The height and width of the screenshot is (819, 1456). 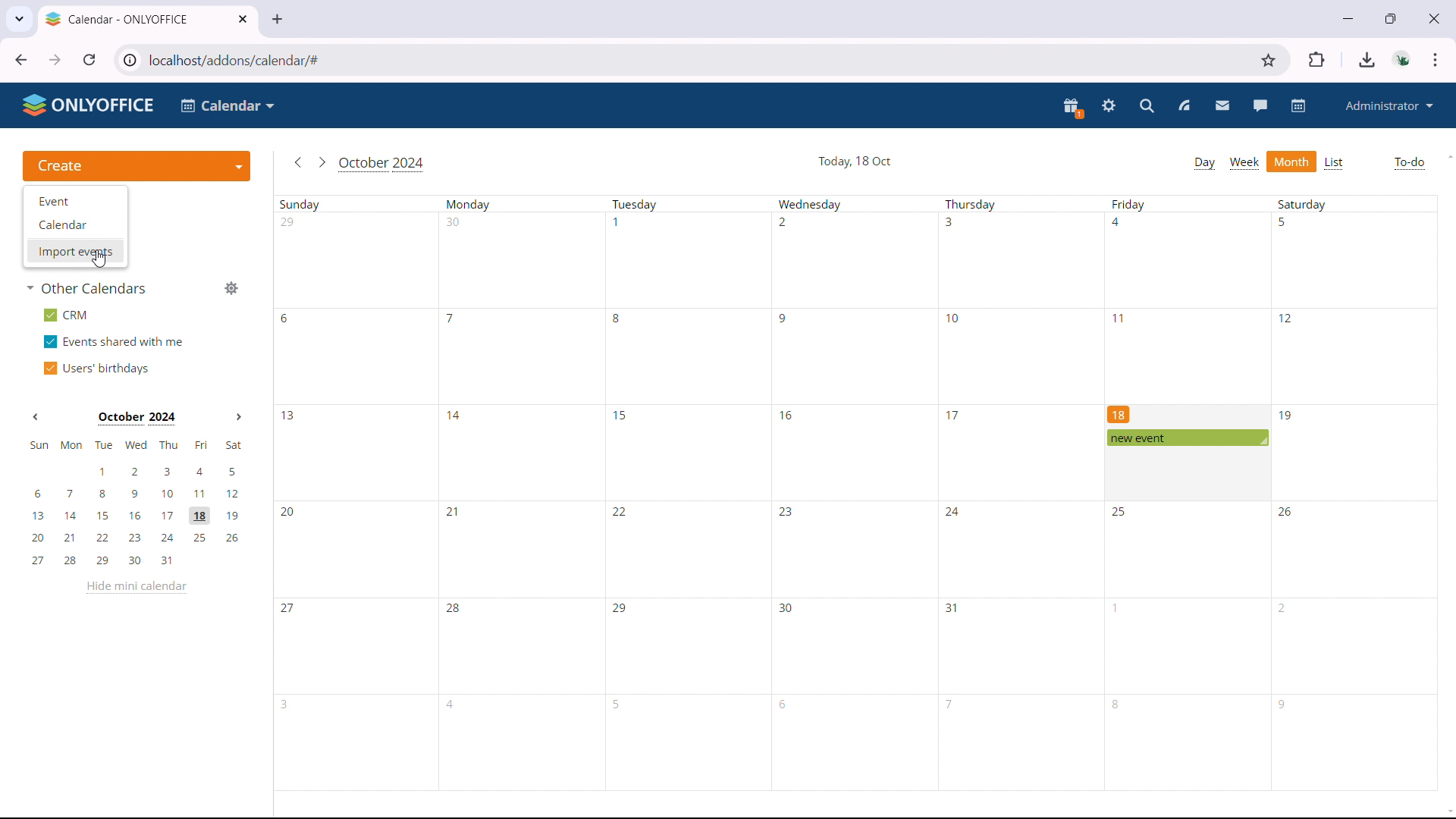 I want to click on mini calendar, so click(x=136, y=503).